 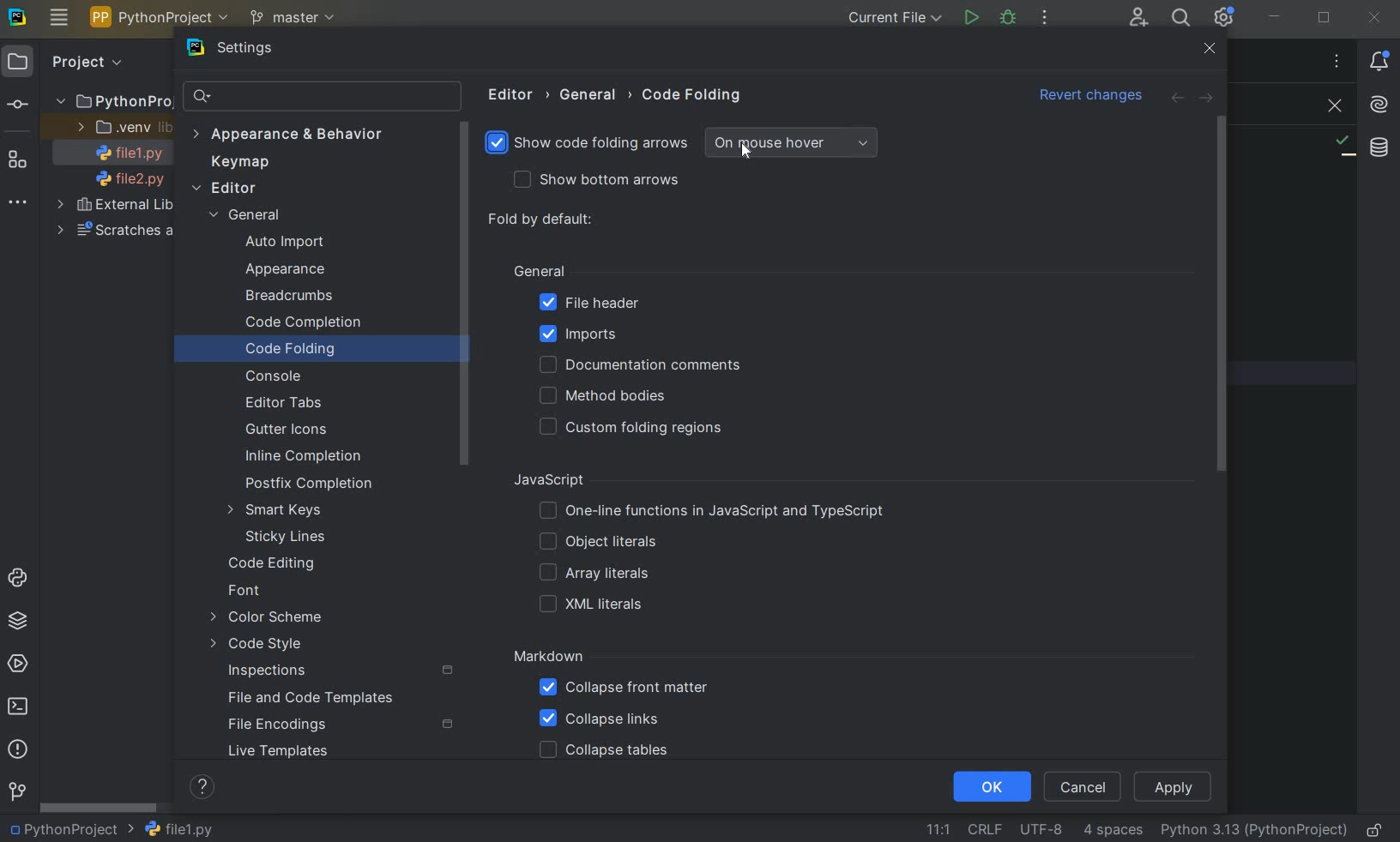 What do you see at coordinates (22, 703) in the screenshot?
I see `TERMINAL` at bounding box center [22, 703].